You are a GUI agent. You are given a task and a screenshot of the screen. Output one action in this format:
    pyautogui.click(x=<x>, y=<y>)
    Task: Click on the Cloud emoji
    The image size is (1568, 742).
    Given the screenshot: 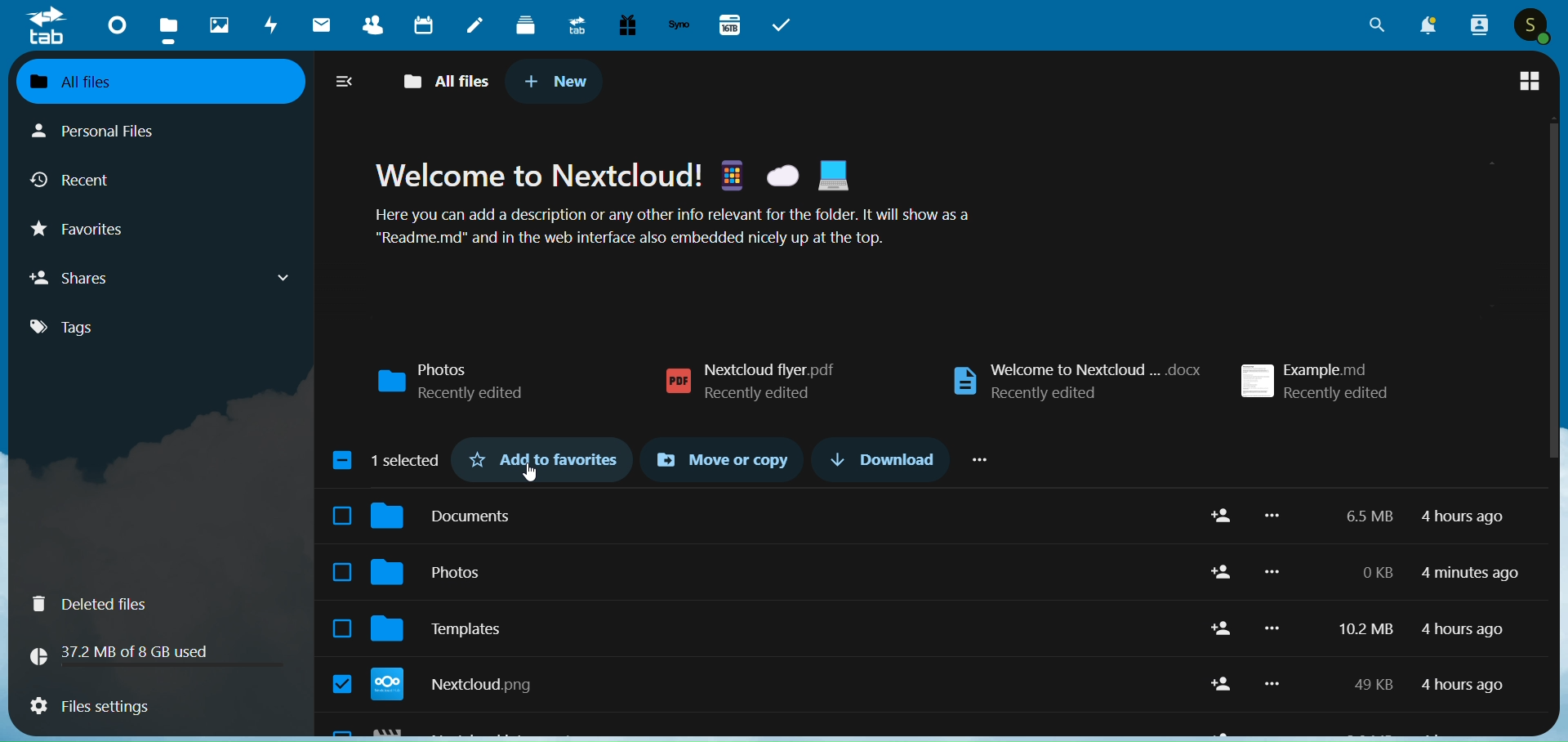 What is the action you would take?
    pyautogui.click(x=782, y=176)
    